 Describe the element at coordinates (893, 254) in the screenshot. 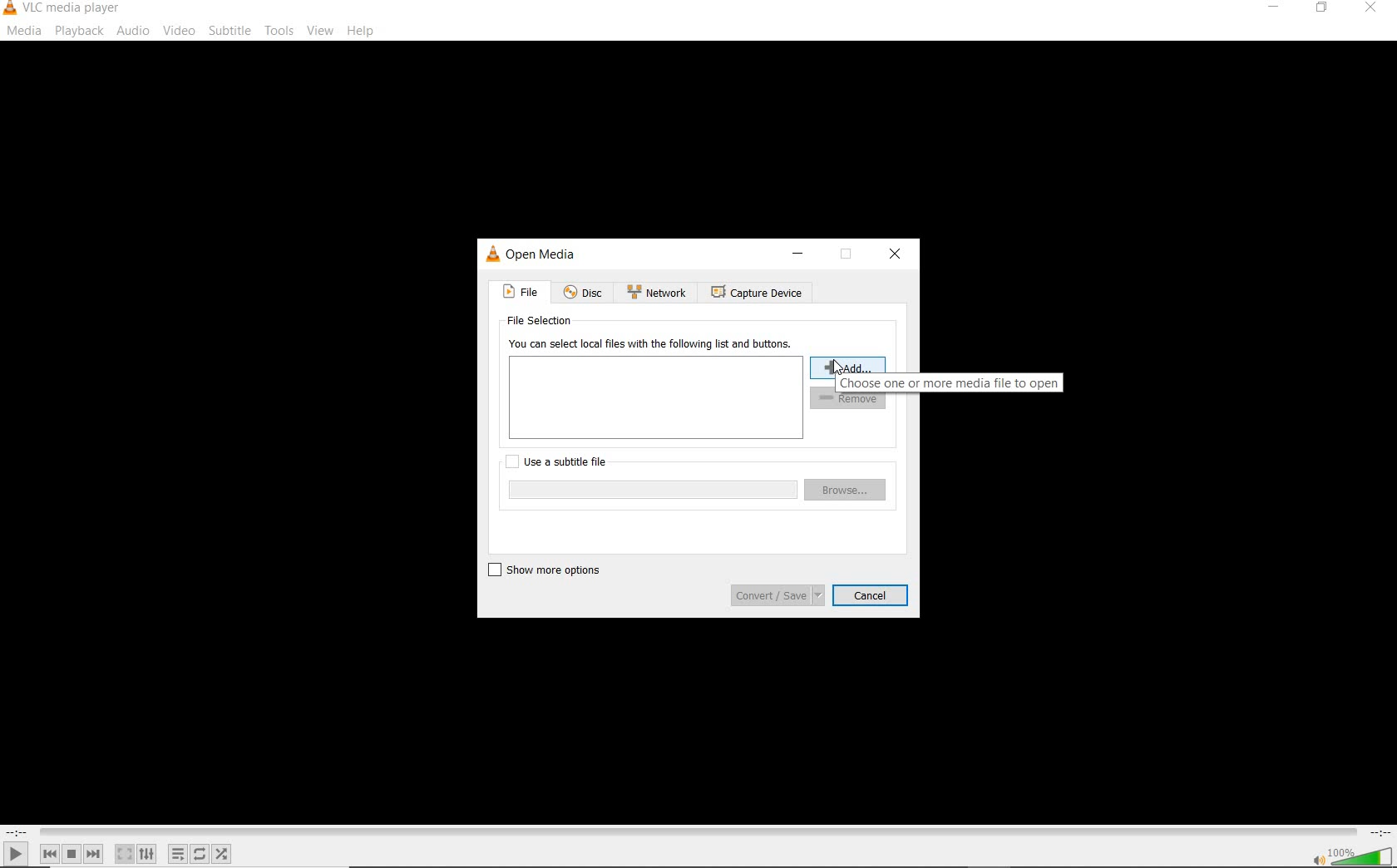

I see `close` at that location.